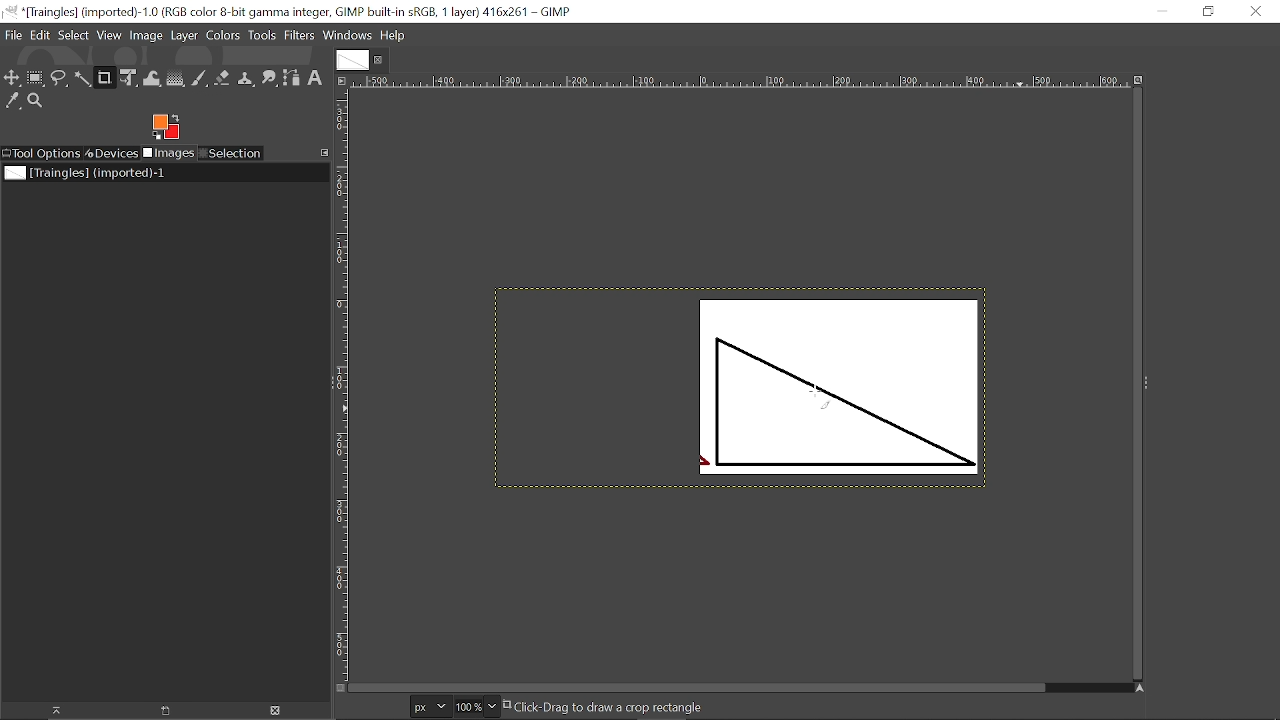 The image size is (1280, 720). I want to click on Selection tool, so click(231, 153).